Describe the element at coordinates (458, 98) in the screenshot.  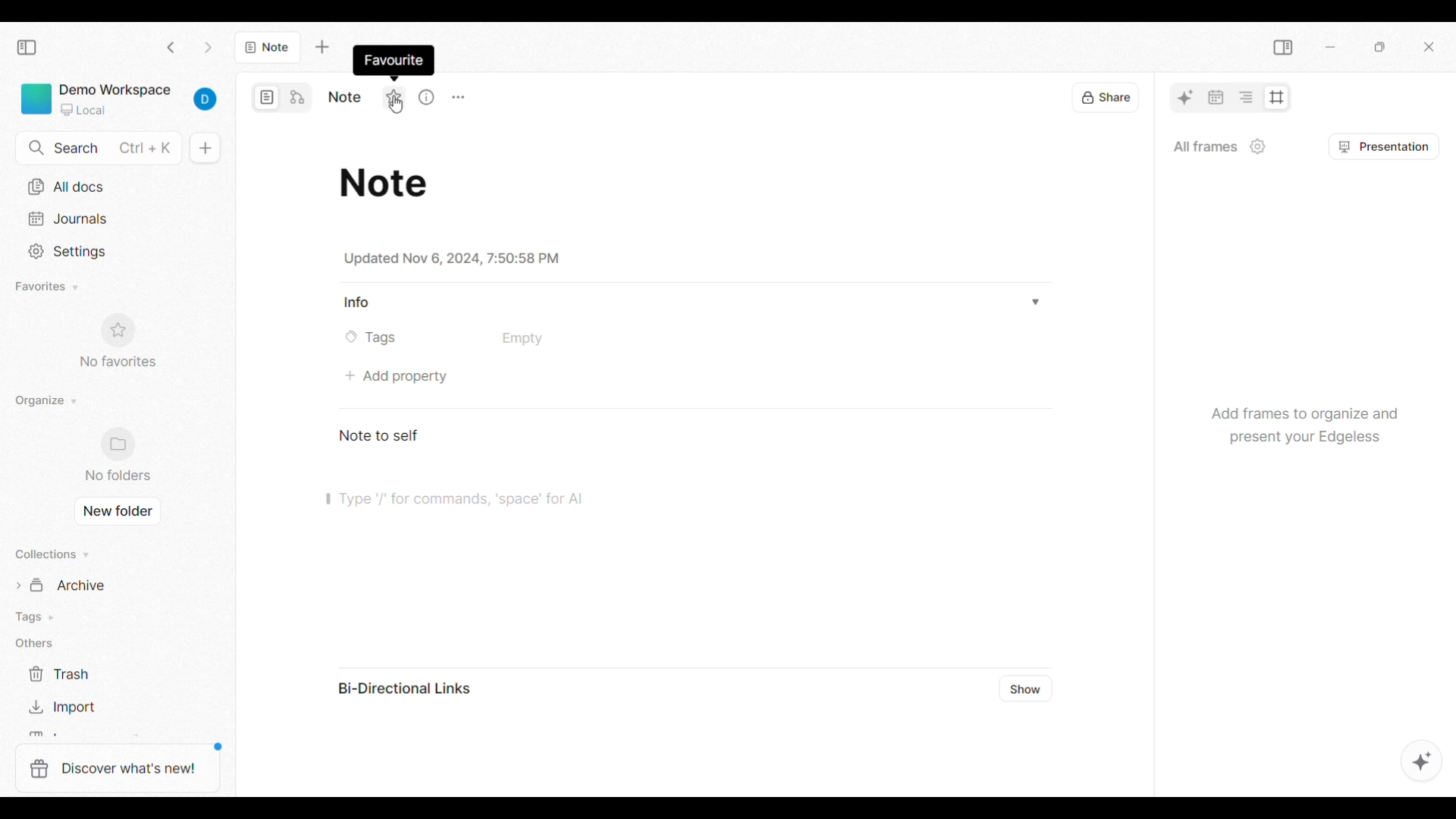
I see `More setting options for current tab` at that location.